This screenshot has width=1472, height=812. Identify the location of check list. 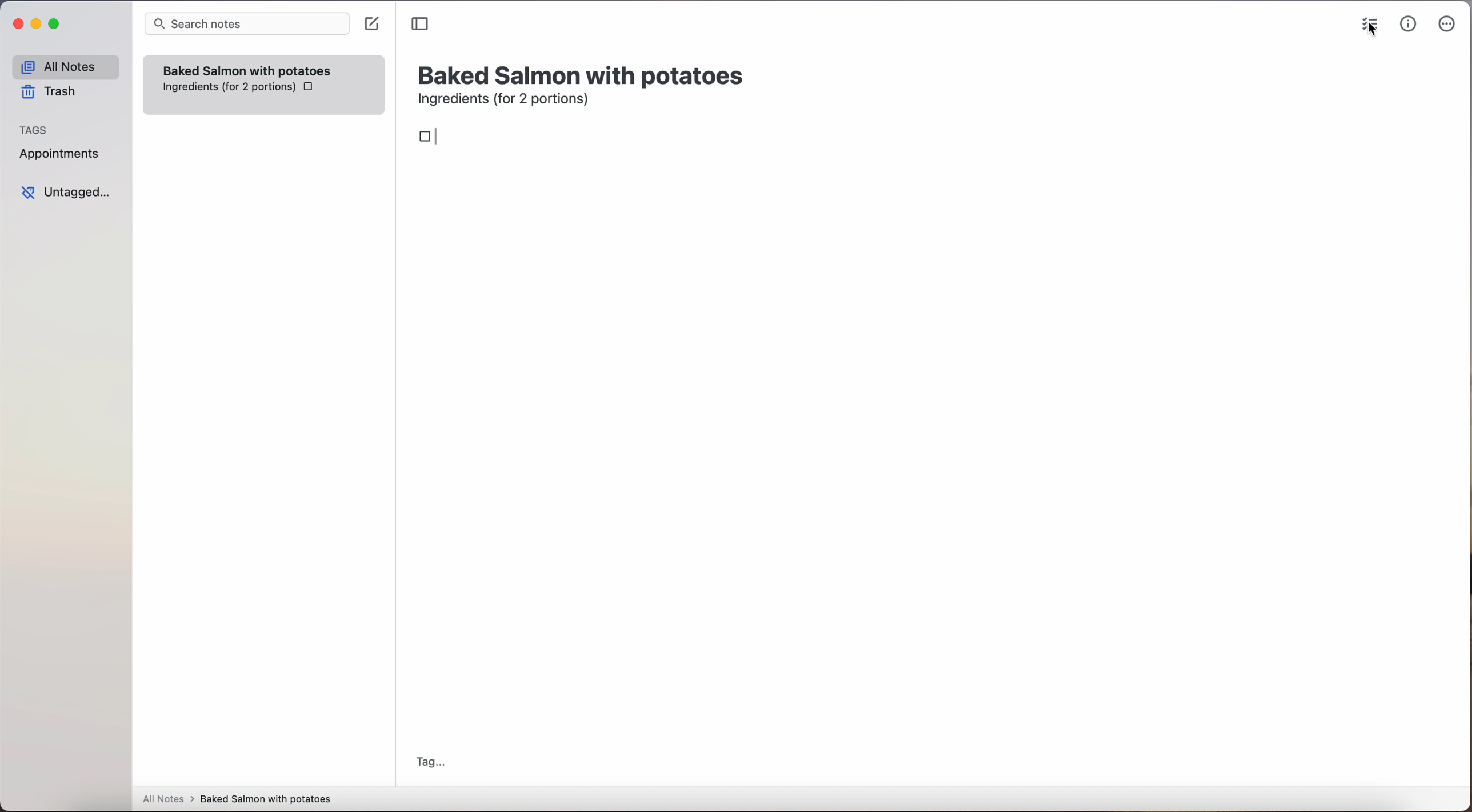
(1367, 20).